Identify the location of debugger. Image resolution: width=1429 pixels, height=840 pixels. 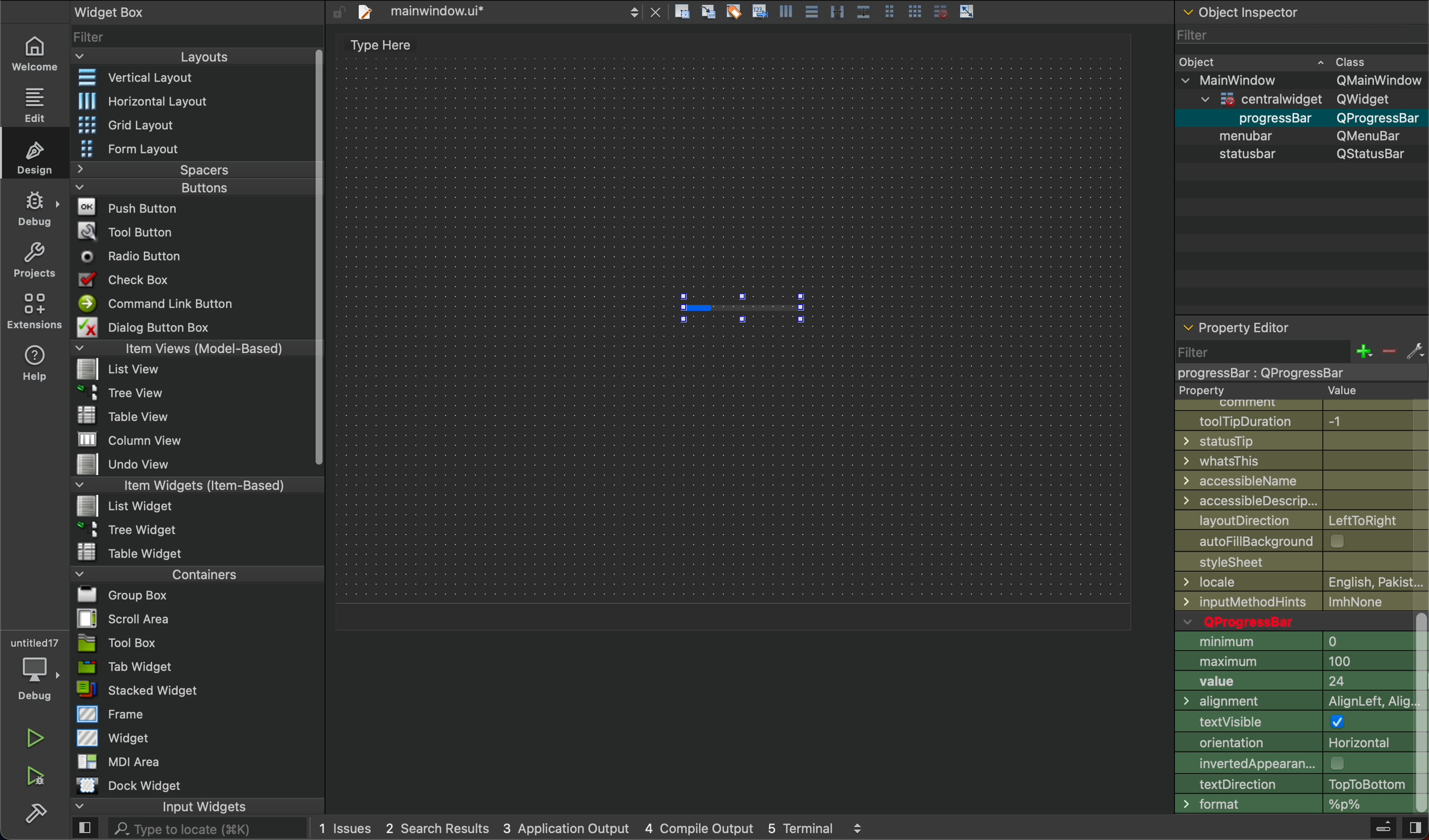
(34, 667).